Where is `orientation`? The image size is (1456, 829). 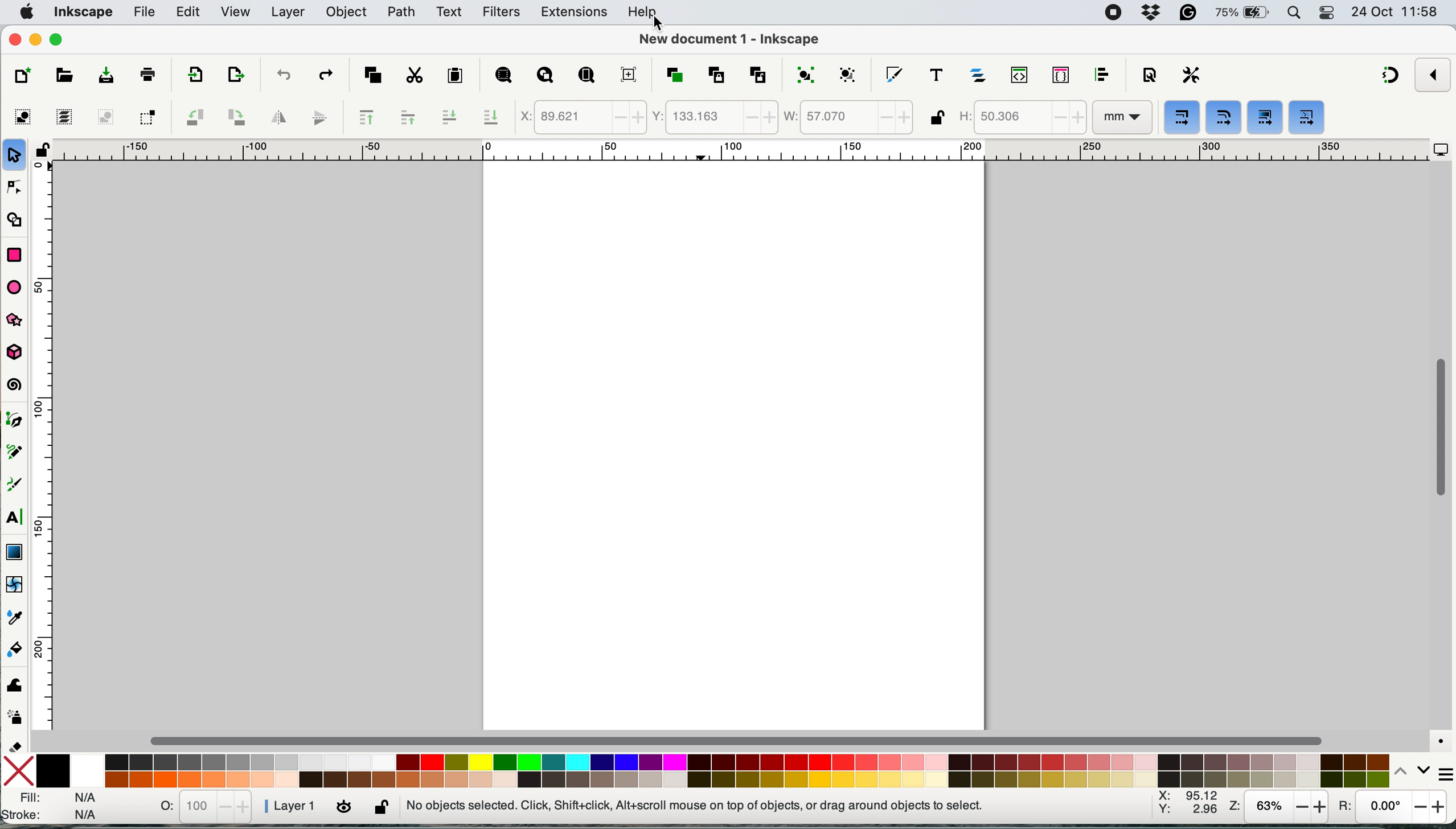 orientation is located at coordinates (206, 810).